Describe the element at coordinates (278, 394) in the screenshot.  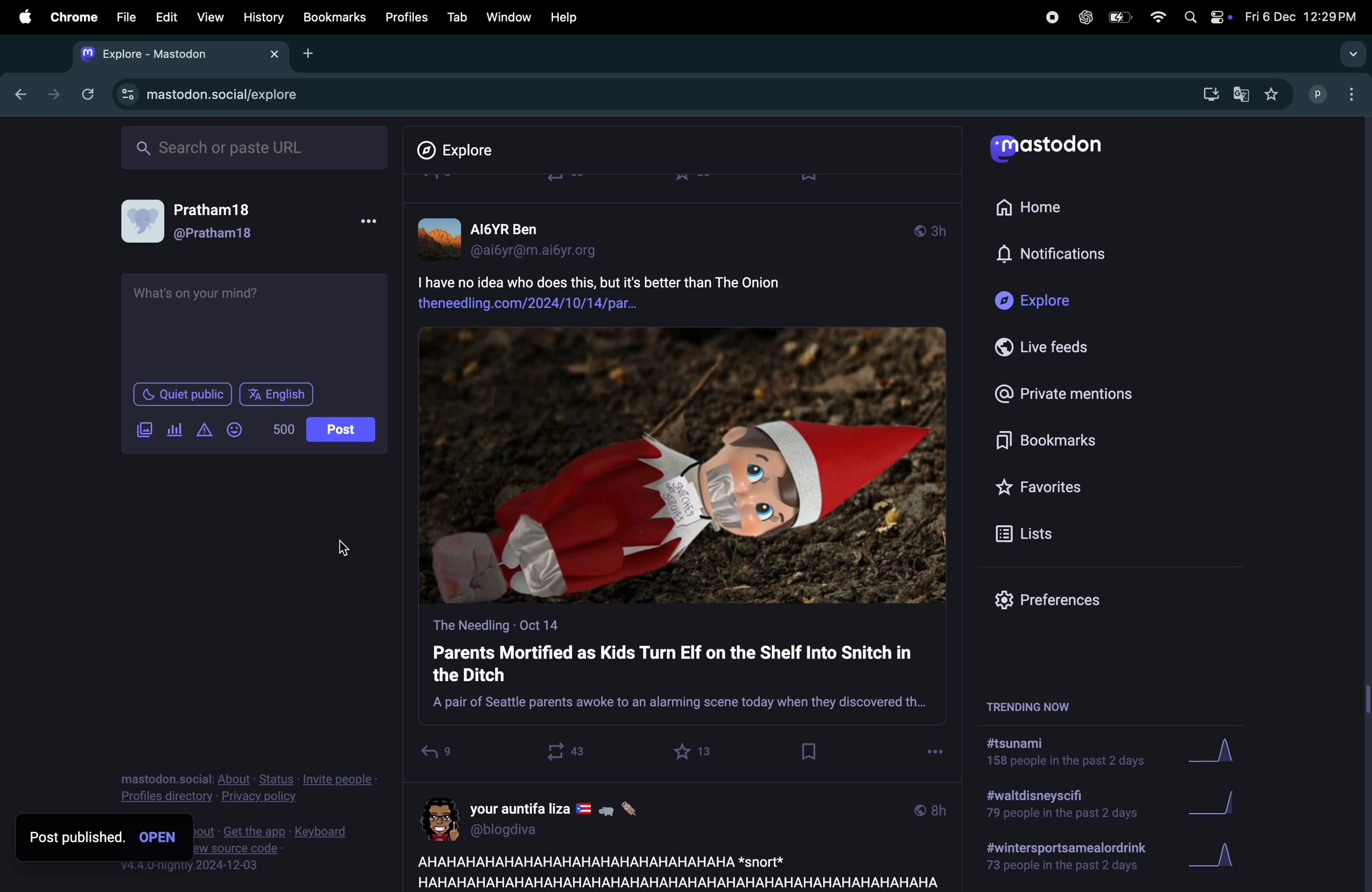
I see `English` at that location.